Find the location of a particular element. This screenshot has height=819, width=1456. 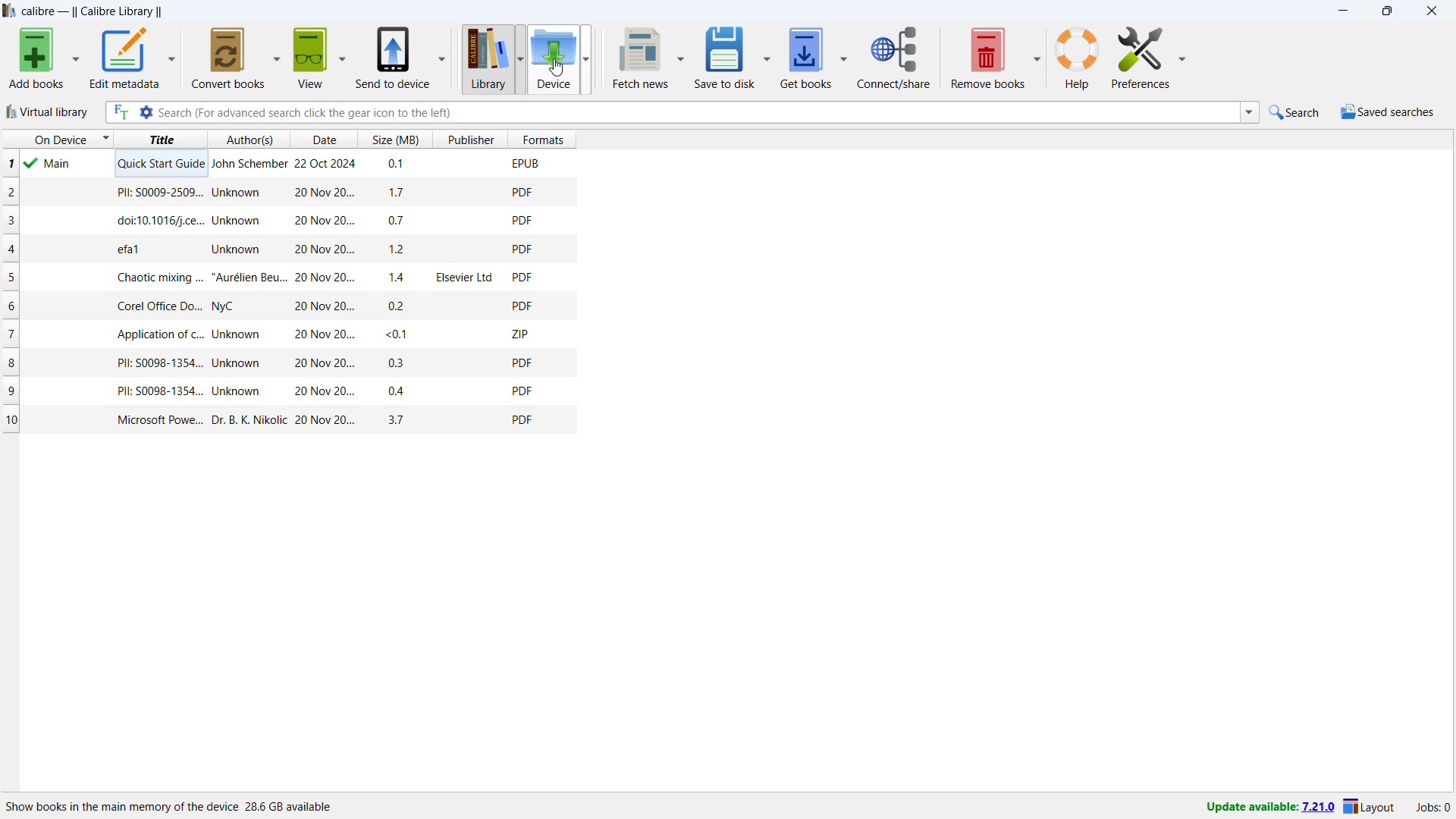

get books is located at coordinates (805, 56).